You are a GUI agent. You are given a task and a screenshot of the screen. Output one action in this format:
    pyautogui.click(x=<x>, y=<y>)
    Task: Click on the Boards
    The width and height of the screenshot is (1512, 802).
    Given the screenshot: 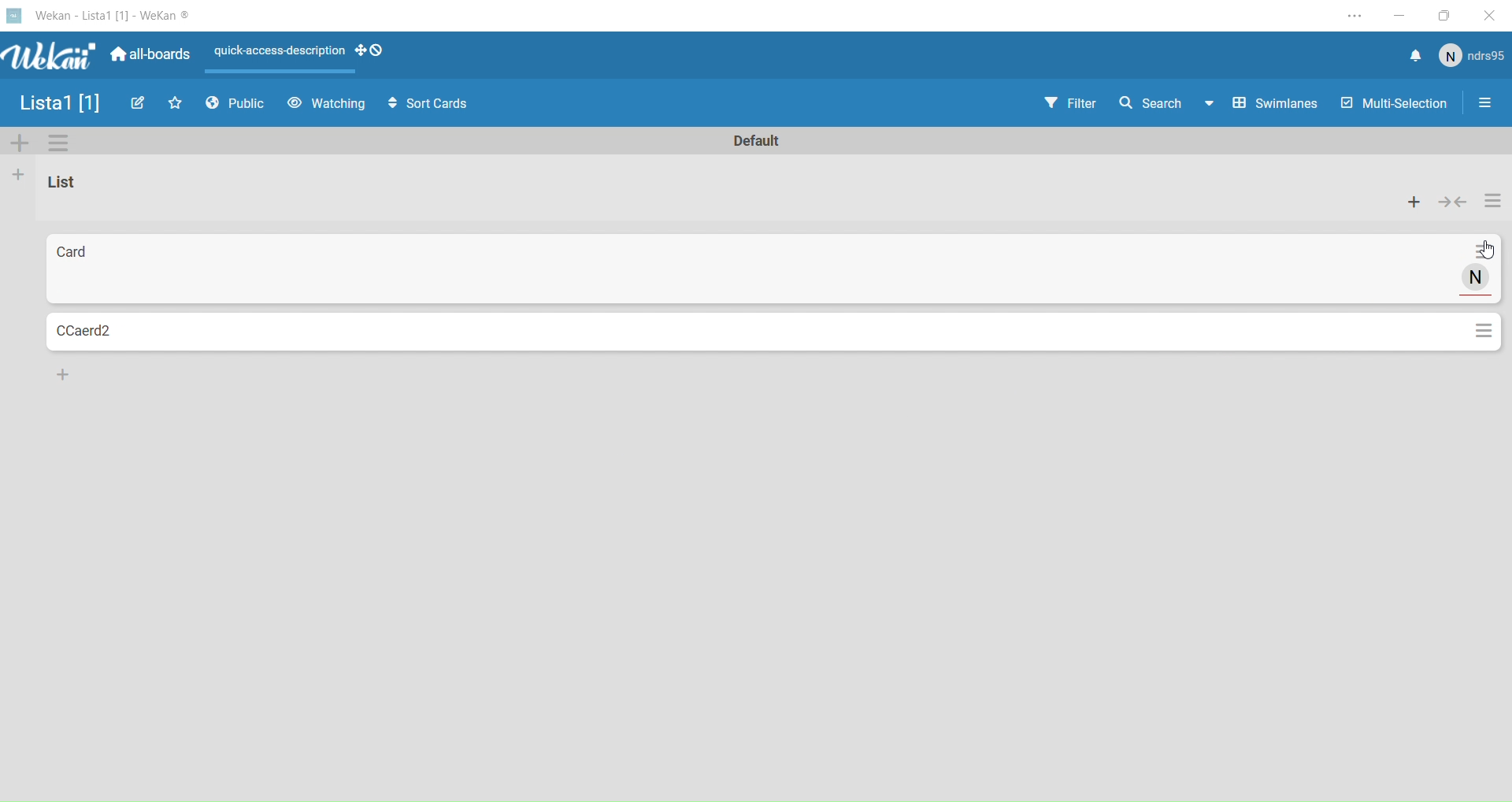 What is the action you would take?
    pyautogui.click(x=150, y=58)
    